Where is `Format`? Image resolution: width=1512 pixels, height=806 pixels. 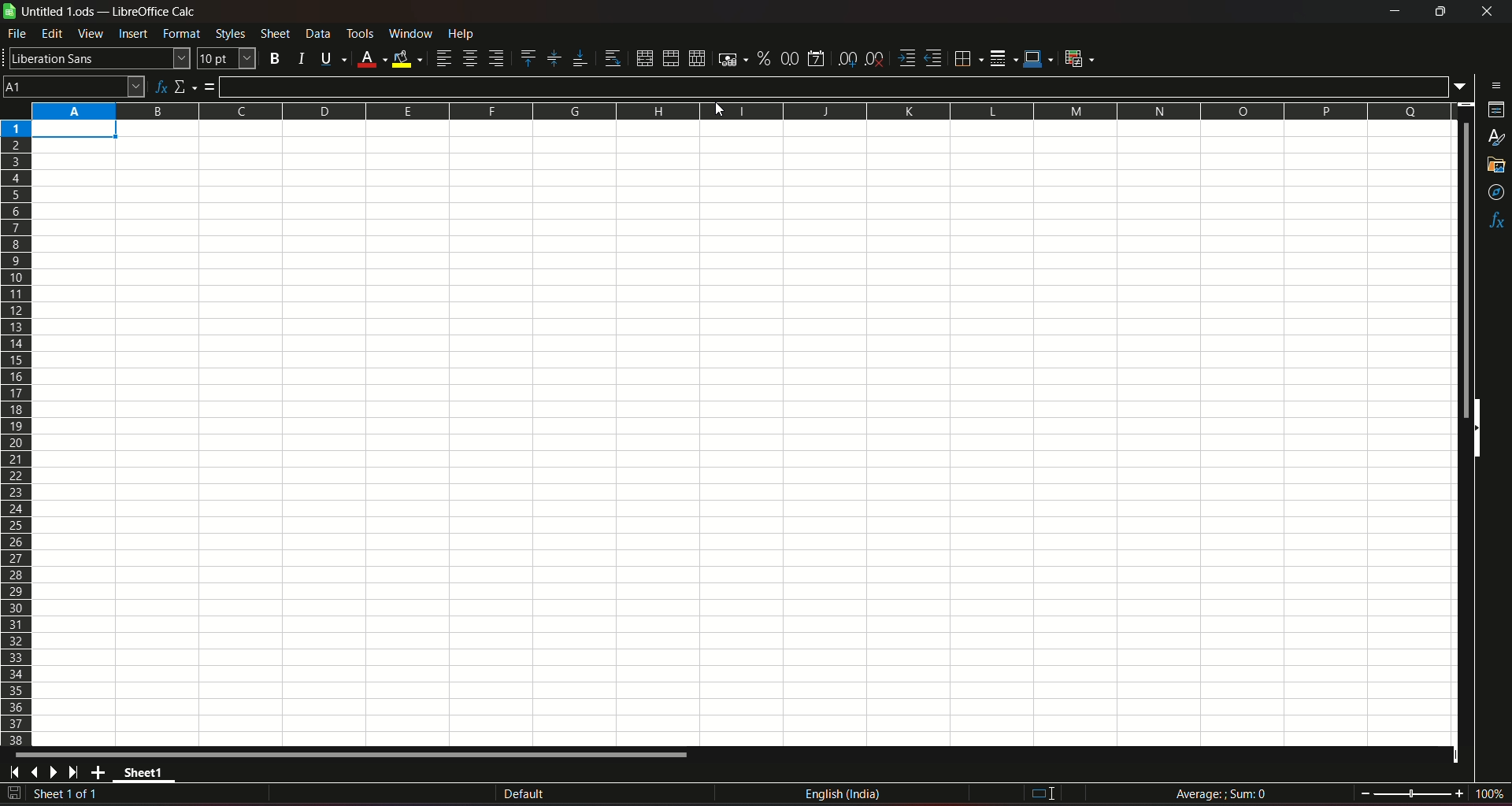
Format is located at coordinates (183, 35).